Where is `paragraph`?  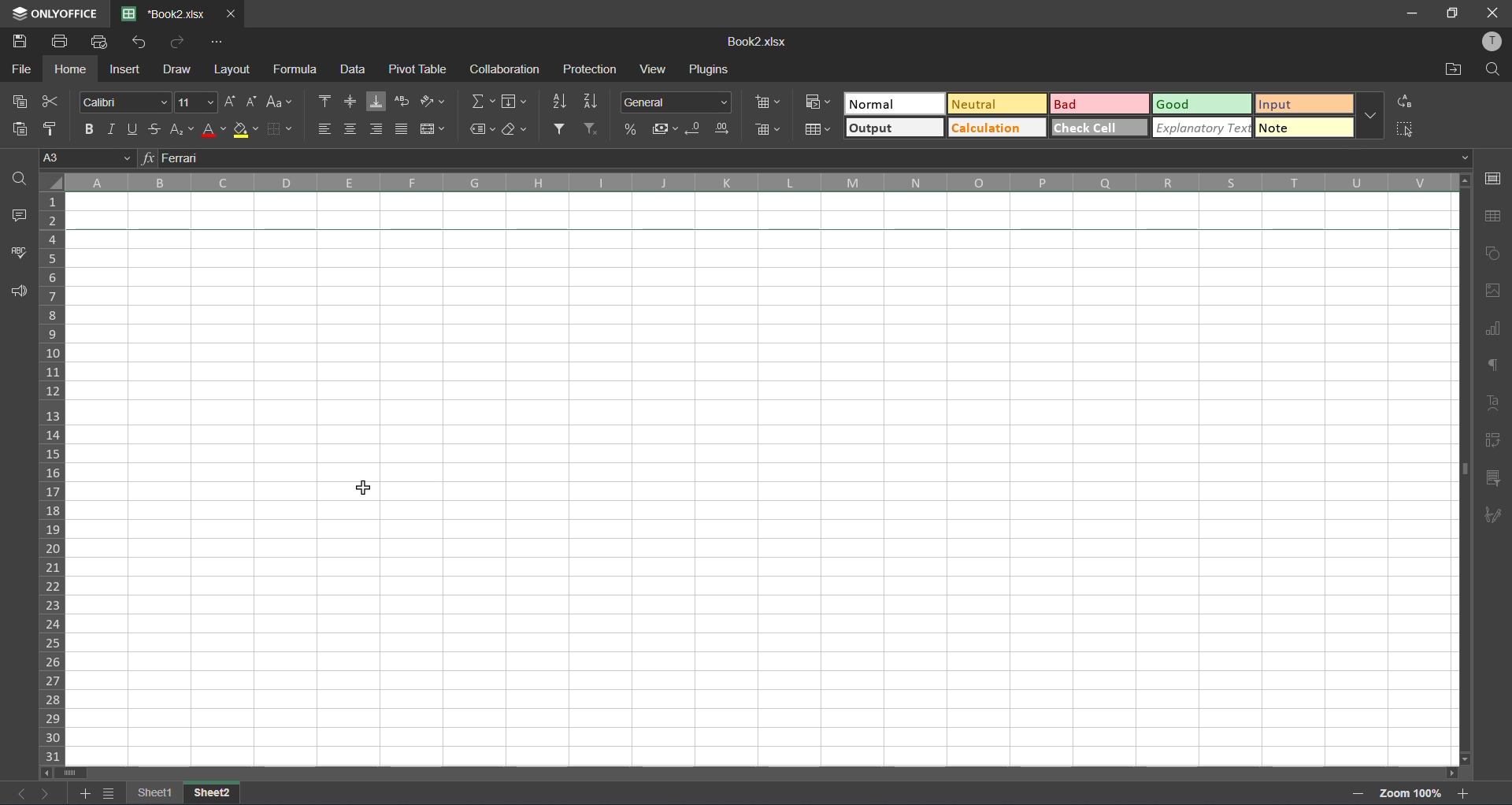
paragraph is located at coordinates (1494, 369).